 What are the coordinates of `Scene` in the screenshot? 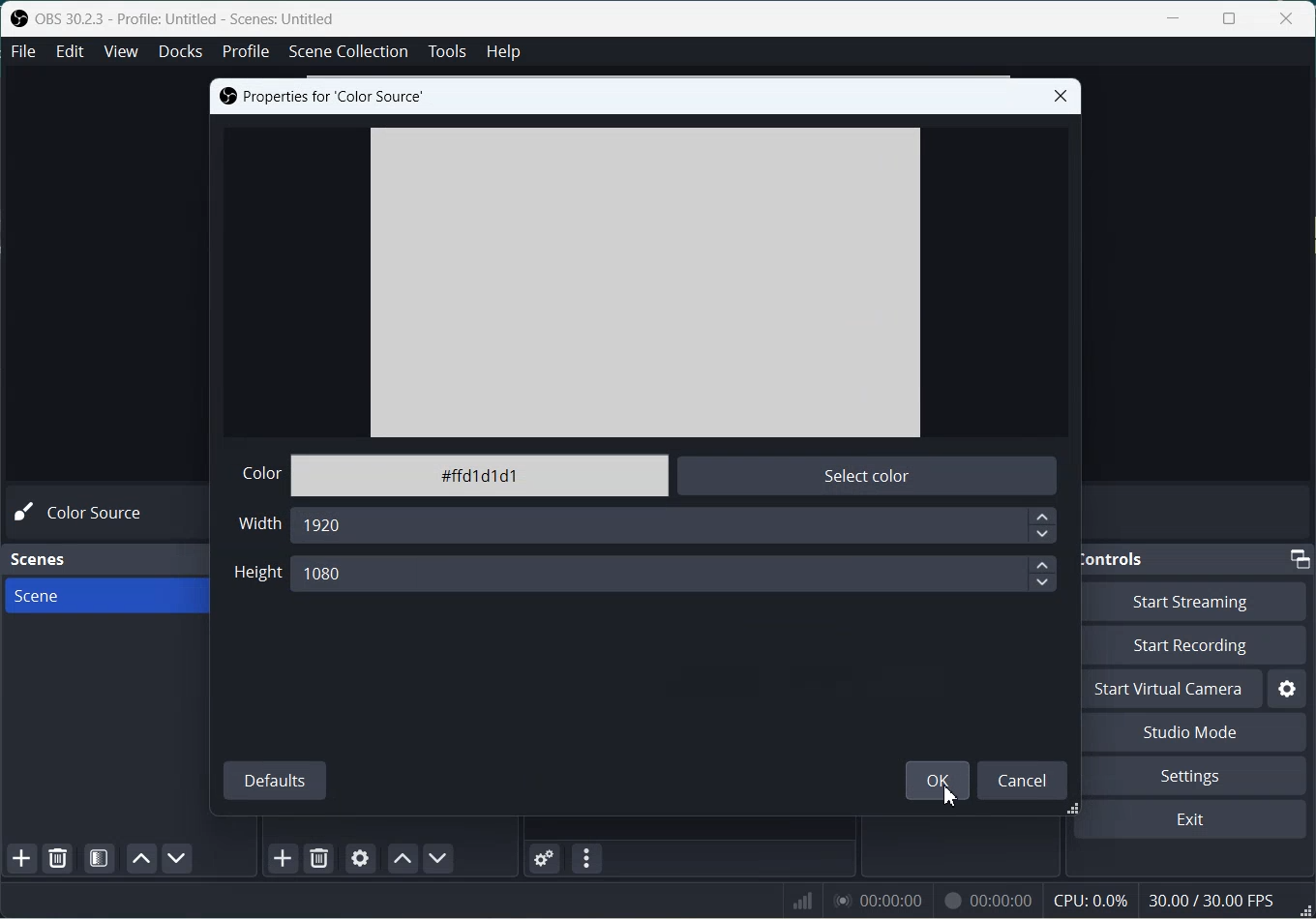 It's located at (104, 598).